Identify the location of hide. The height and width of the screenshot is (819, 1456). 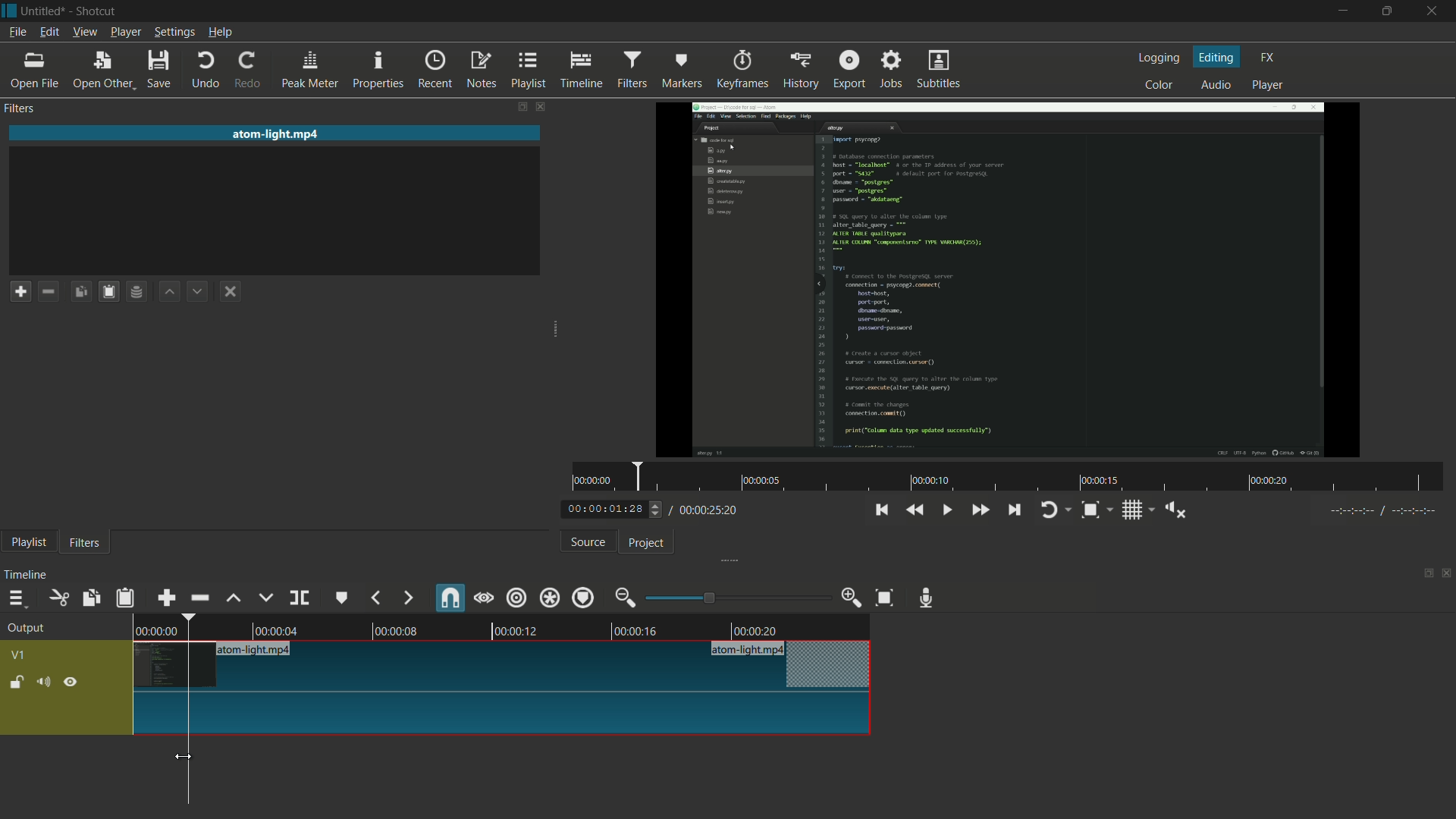
(72, 681).